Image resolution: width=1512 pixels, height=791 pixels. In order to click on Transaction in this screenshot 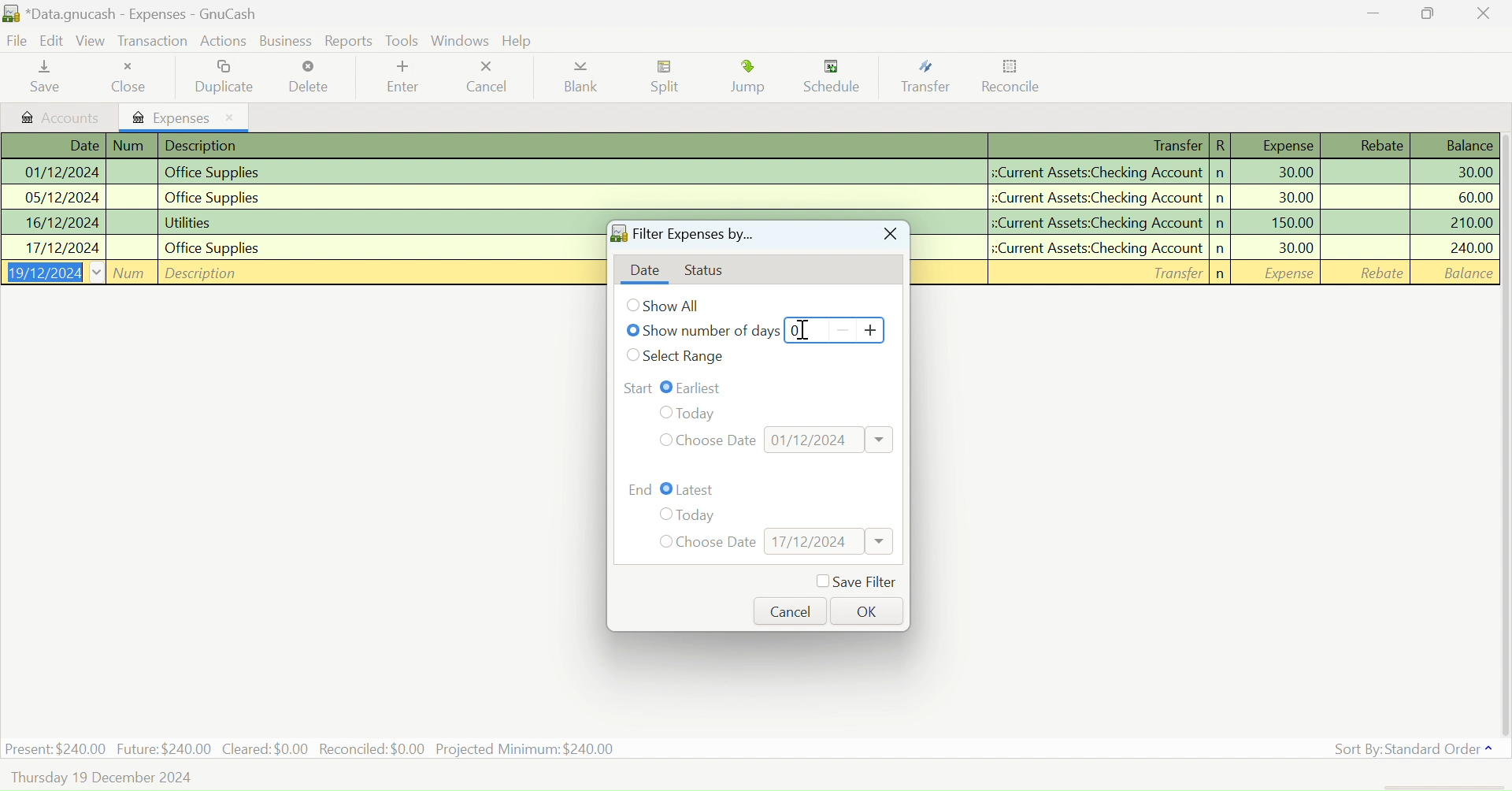, I will do `click(152, 42)`.